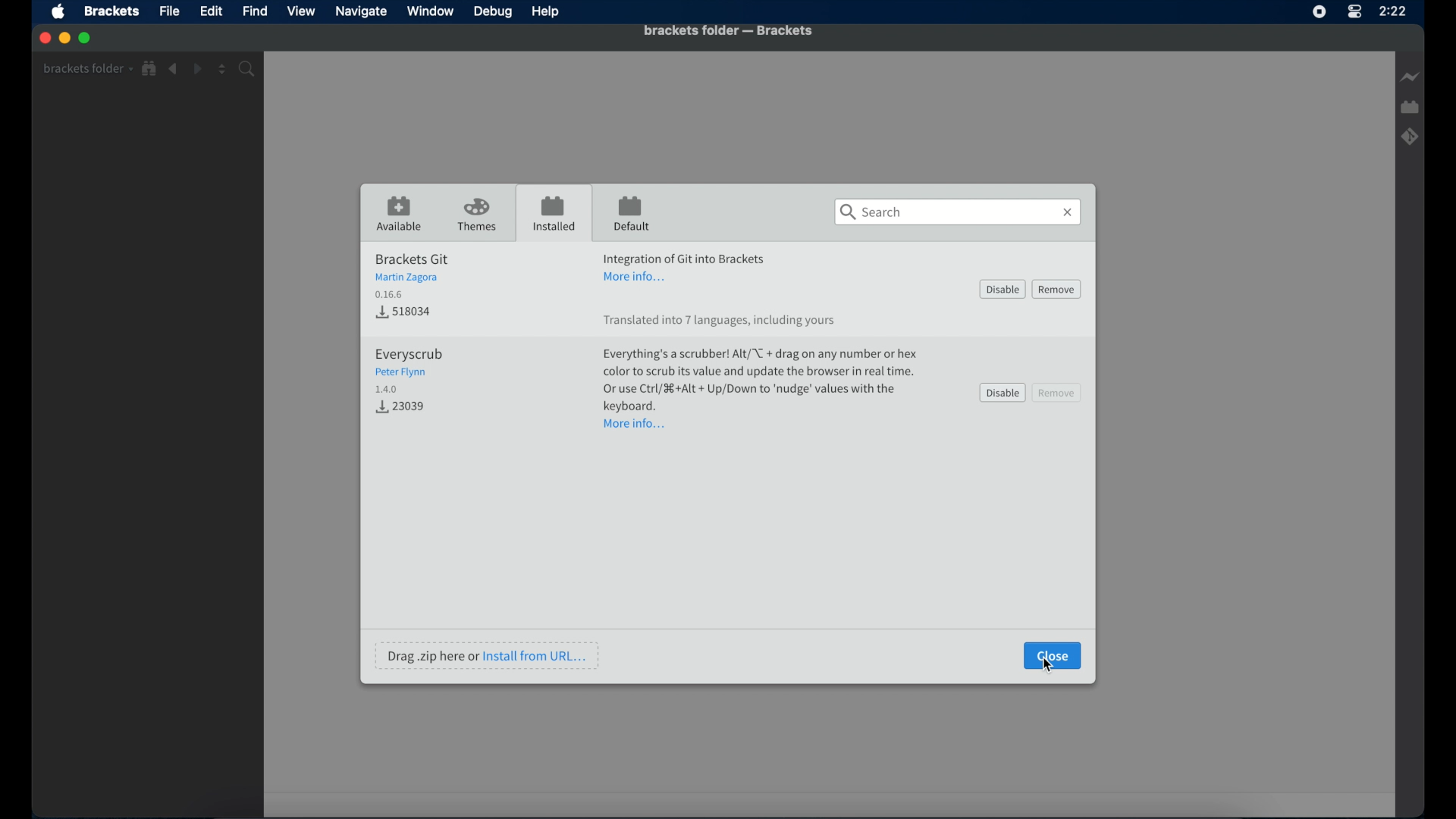 The image size is (1456, 819). What do you see at coordinates (1053, 665) in the screenshot?
I see `cursor` at bounding box center [1053, 665].